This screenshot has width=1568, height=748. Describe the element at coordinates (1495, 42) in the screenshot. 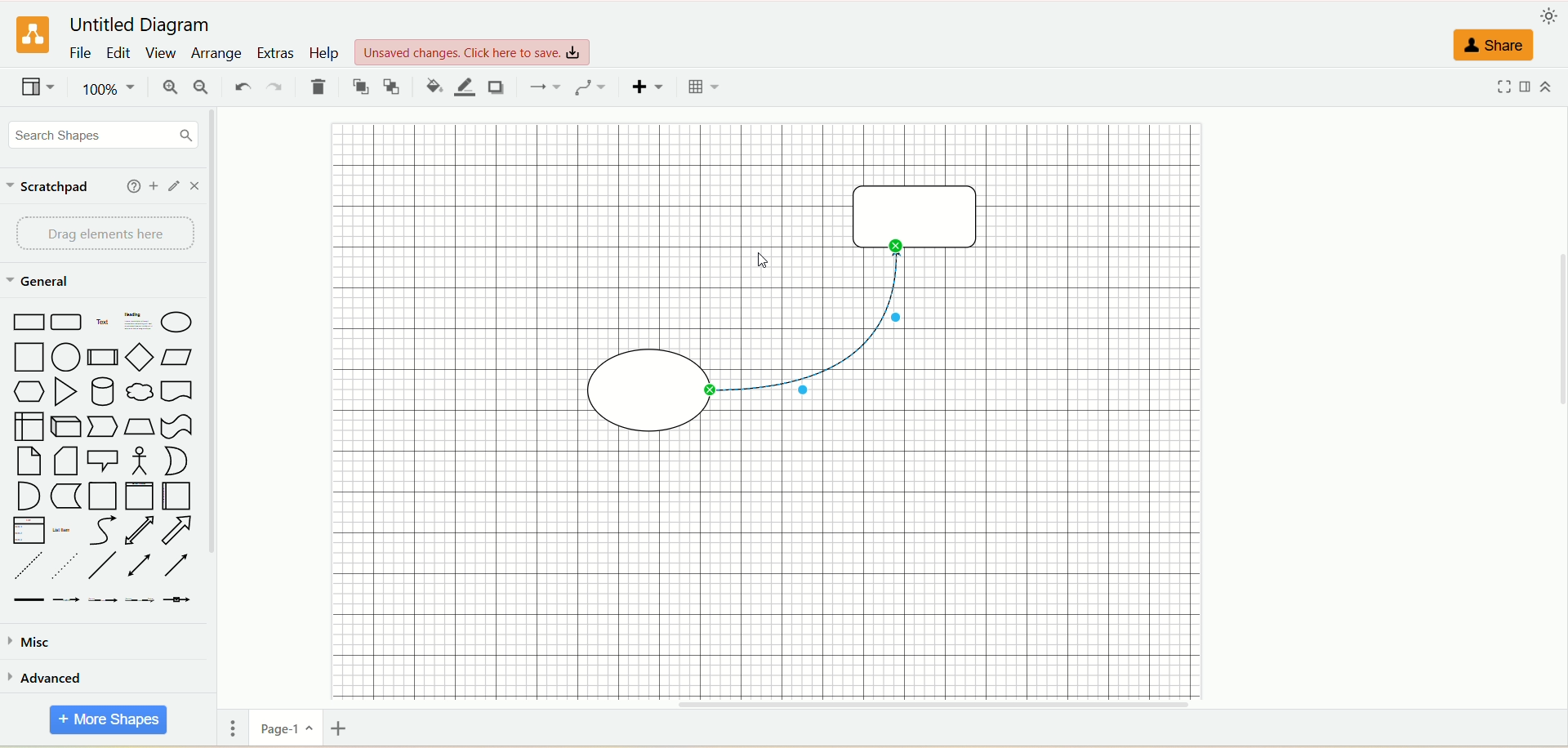

I see `share` at that location.